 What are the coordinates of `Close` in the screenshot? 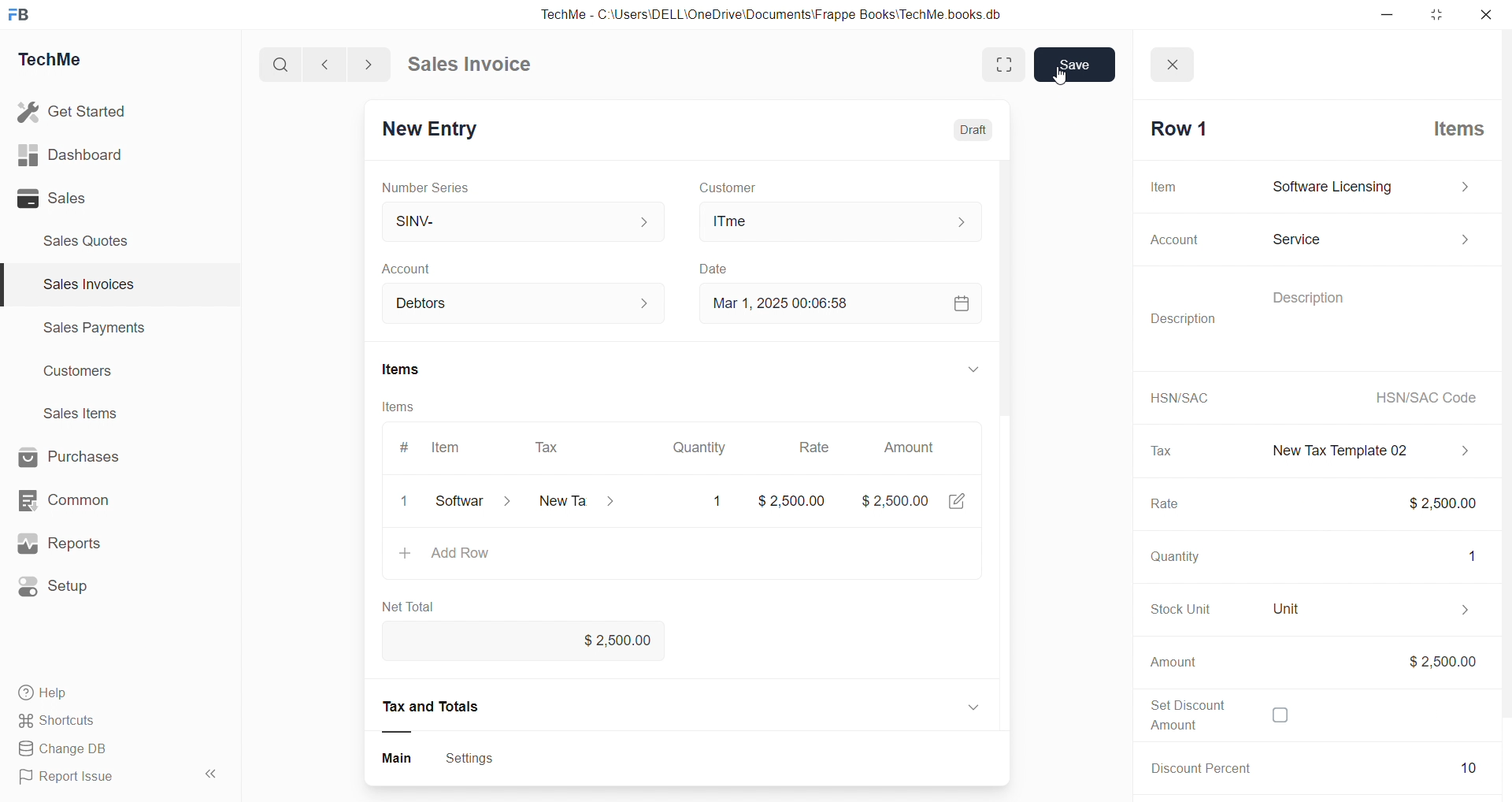 It's located at (1177, 60).